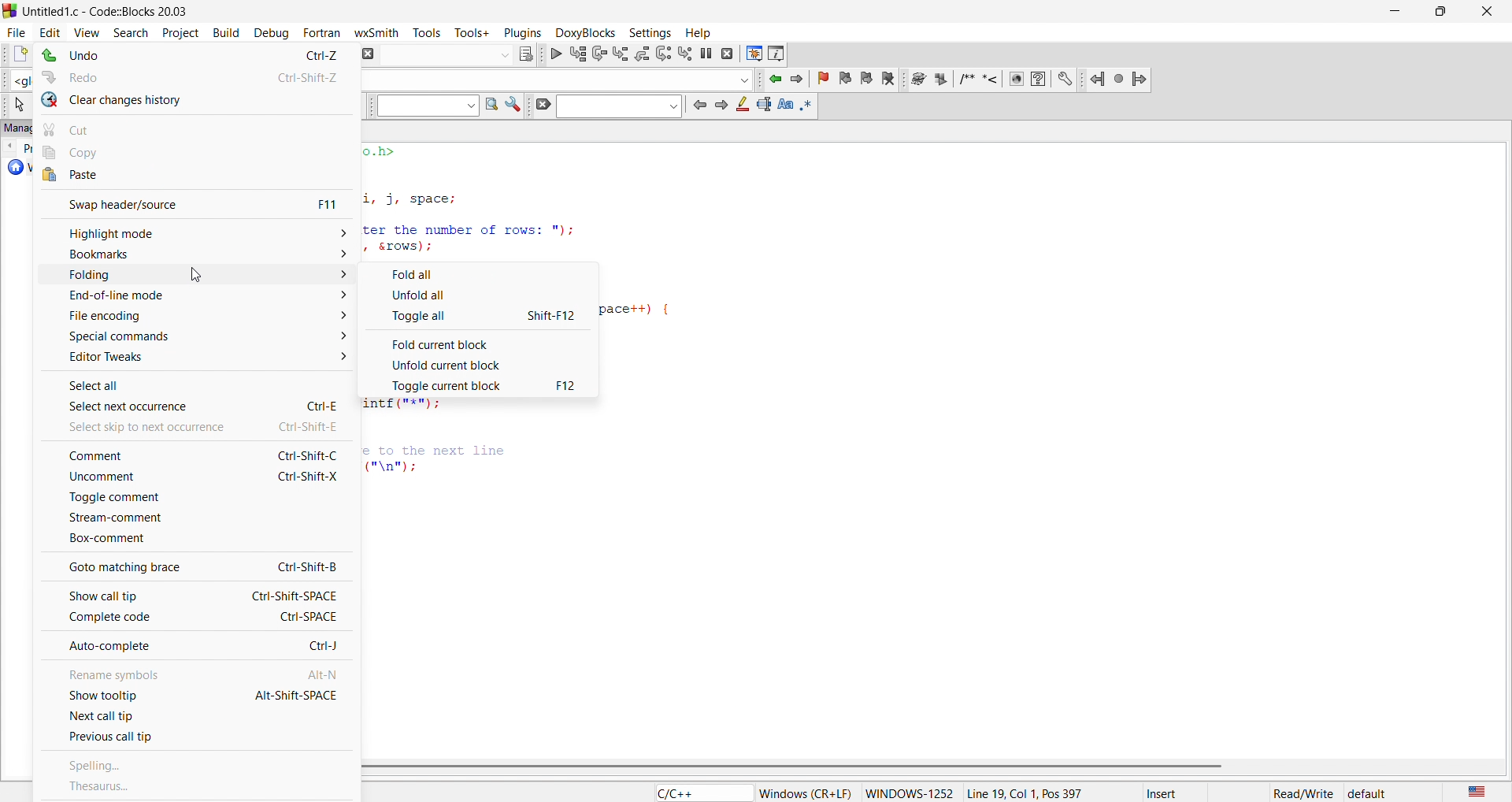 The image size is (1512, 802). What do you see at coordinates (49, 31) in the screenshot?
I see `edit` at bounding box center [49, 31].